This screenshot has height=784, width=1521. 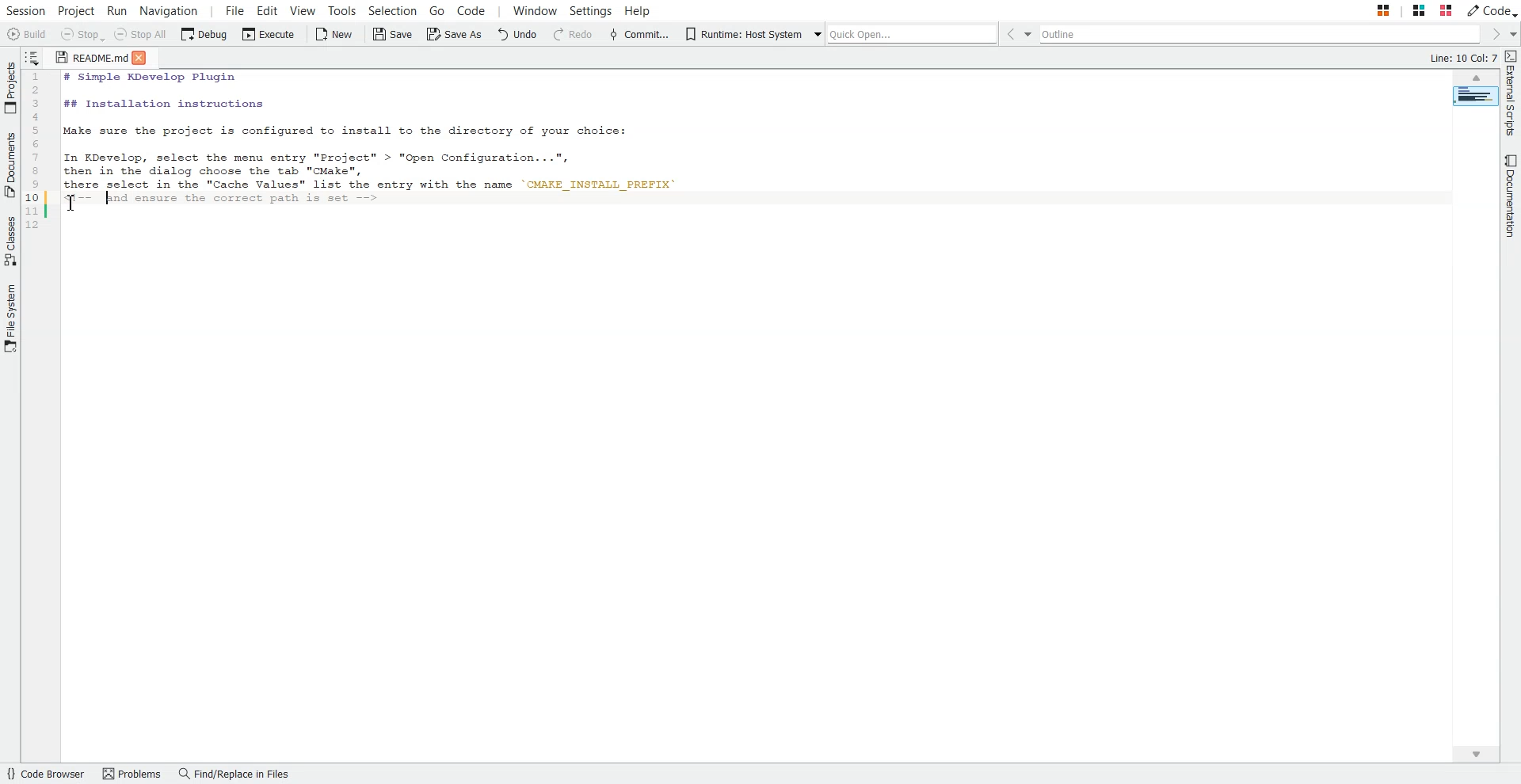 What do you see at coordinates (162, 105) in the screenshot?
I see `## Installation Instructions` at bounding box center [162, 105].